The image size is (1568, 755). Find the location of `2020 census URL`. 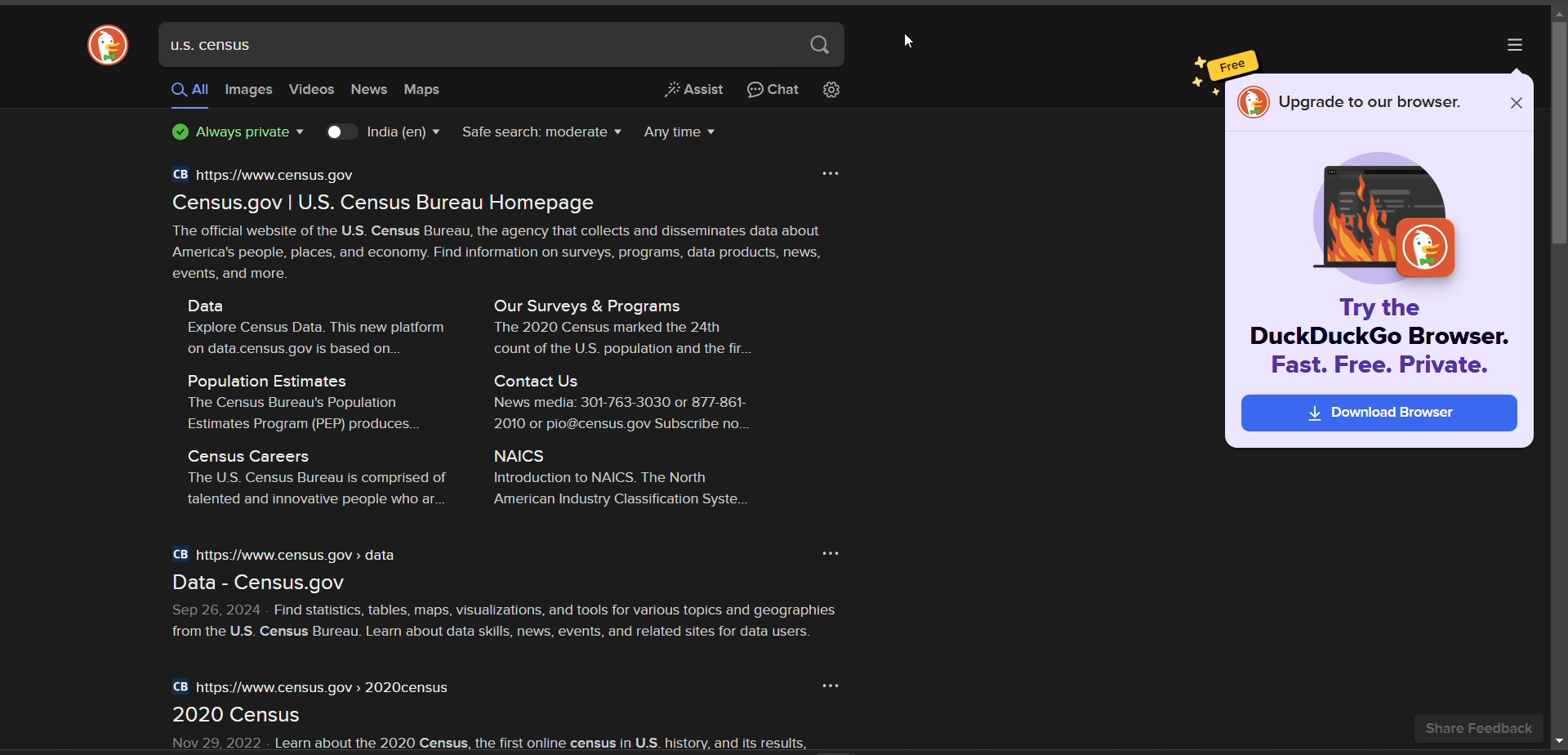

2020 census URL is located at coordinates (315, 688).